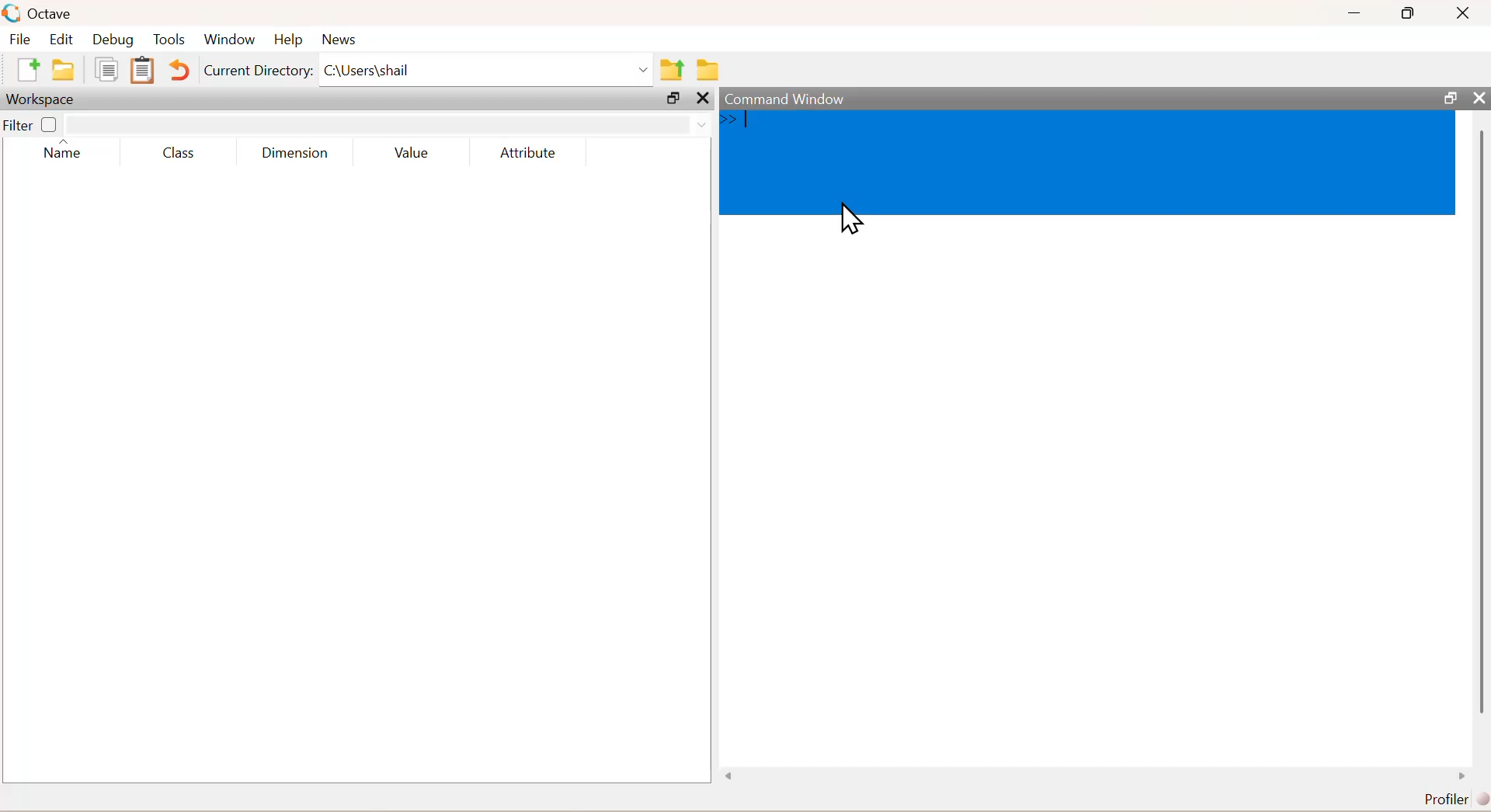  Describe the element at coordinates (13, 13) in the screenshot. I see `logo` at that location.